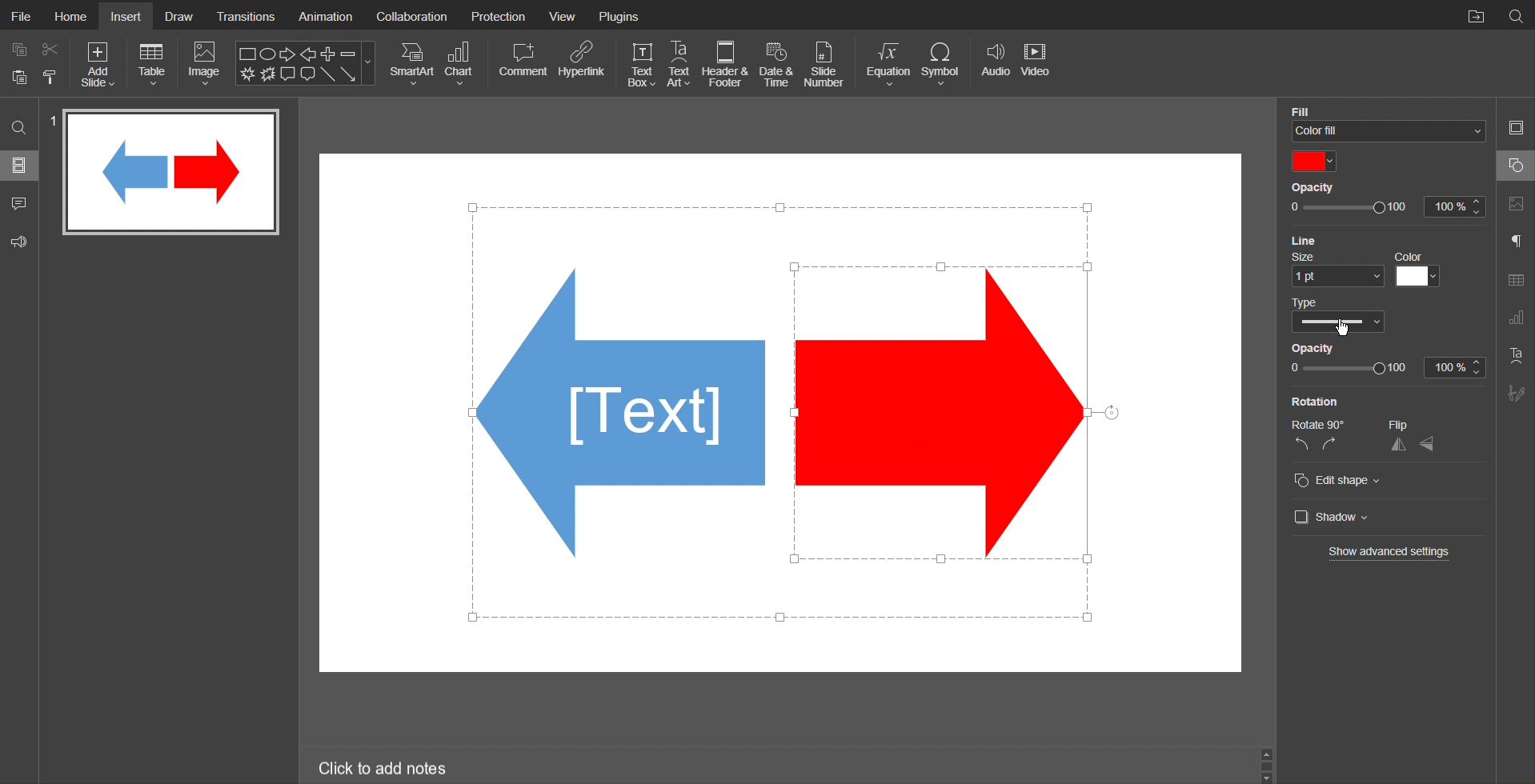 This screenshot has width=1535, height=784. What do you see at coordinates (18, 78) in the screenshot?
I see `paste` at bounding box center [18, 78].